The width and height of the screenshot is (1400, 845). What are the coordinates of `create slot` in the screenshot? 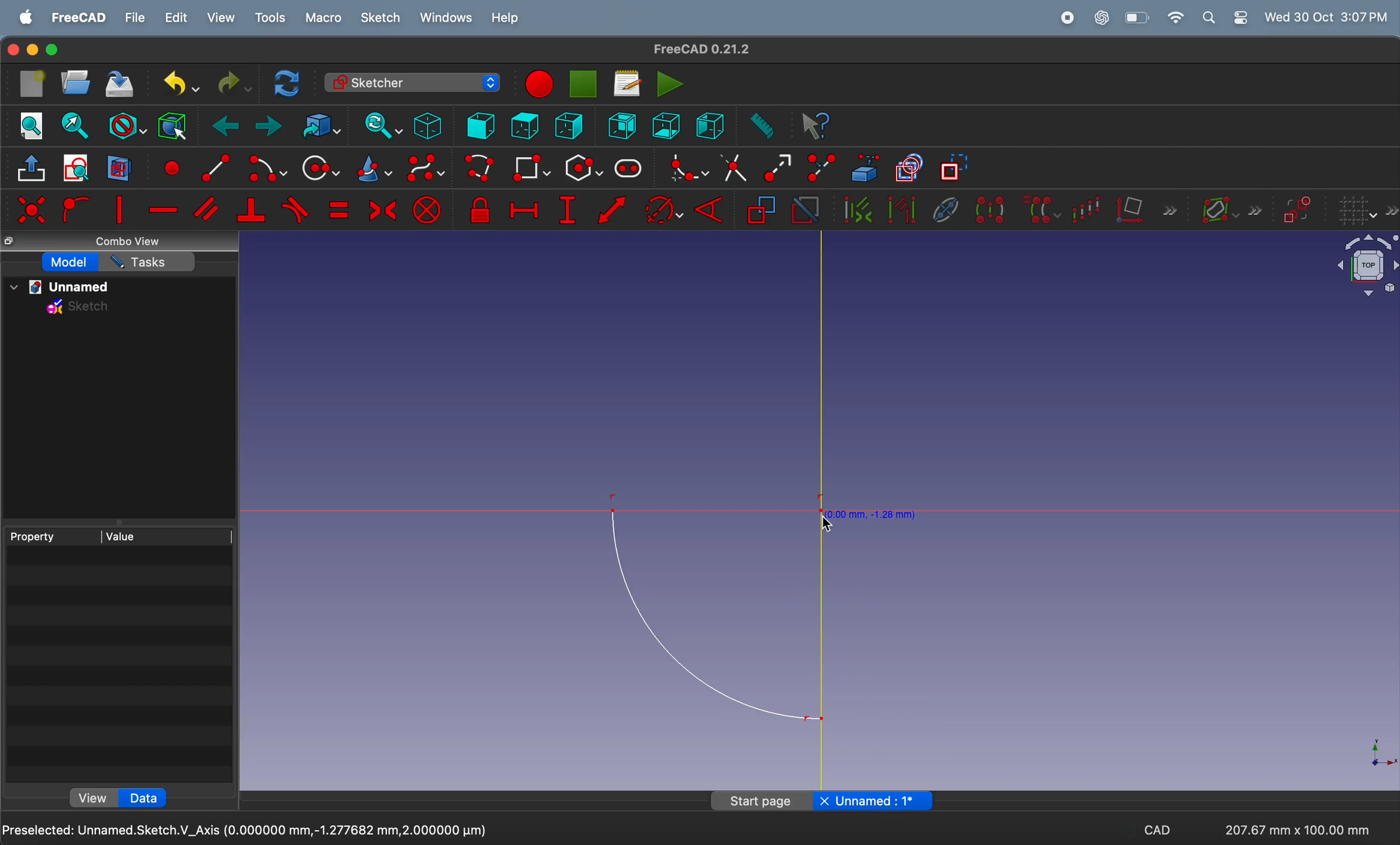 It's located at (628, 169).